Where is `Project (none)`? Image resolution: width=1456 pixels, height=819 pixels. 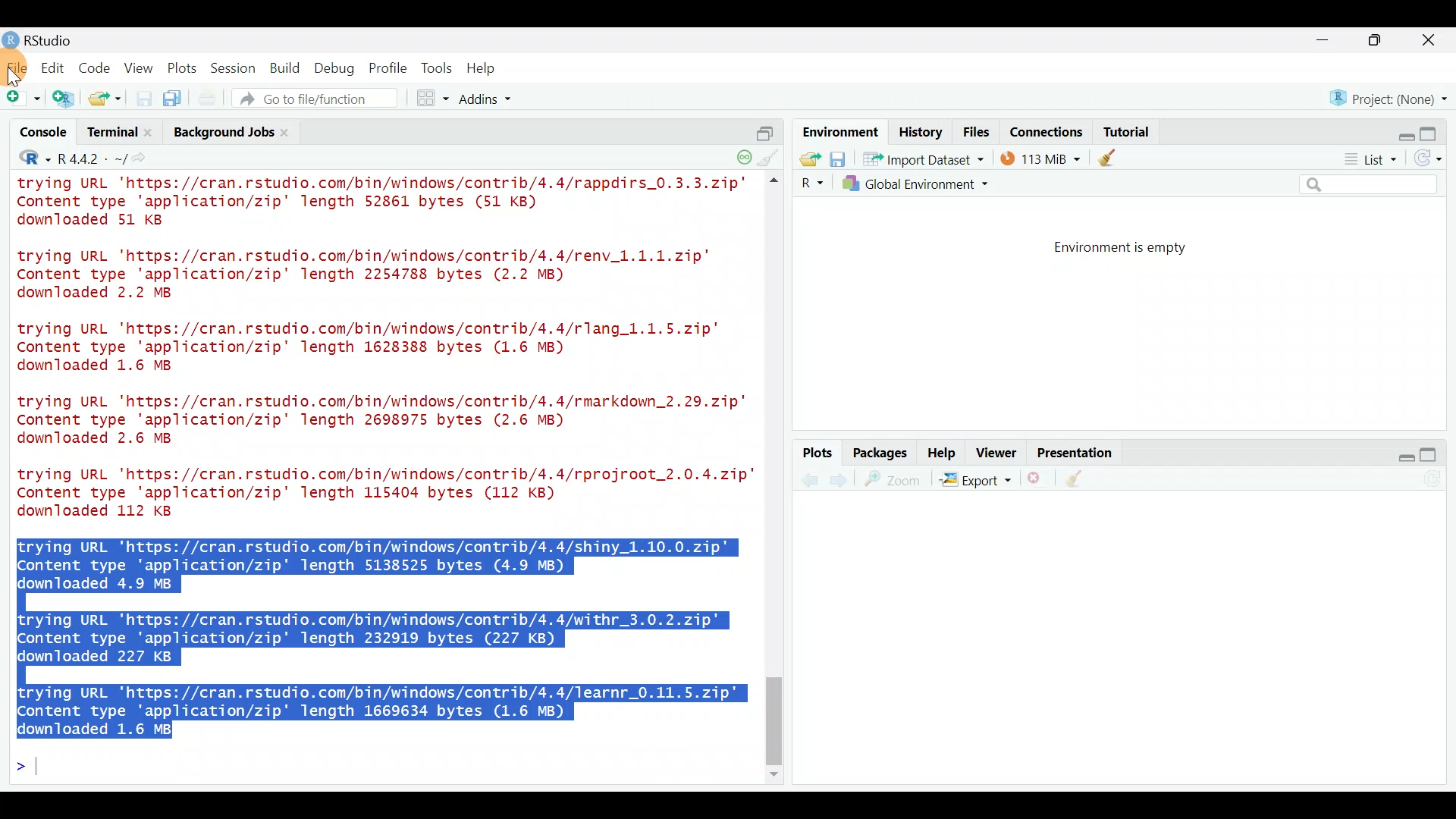
Project (none) is located at coordinates (1393, 96).